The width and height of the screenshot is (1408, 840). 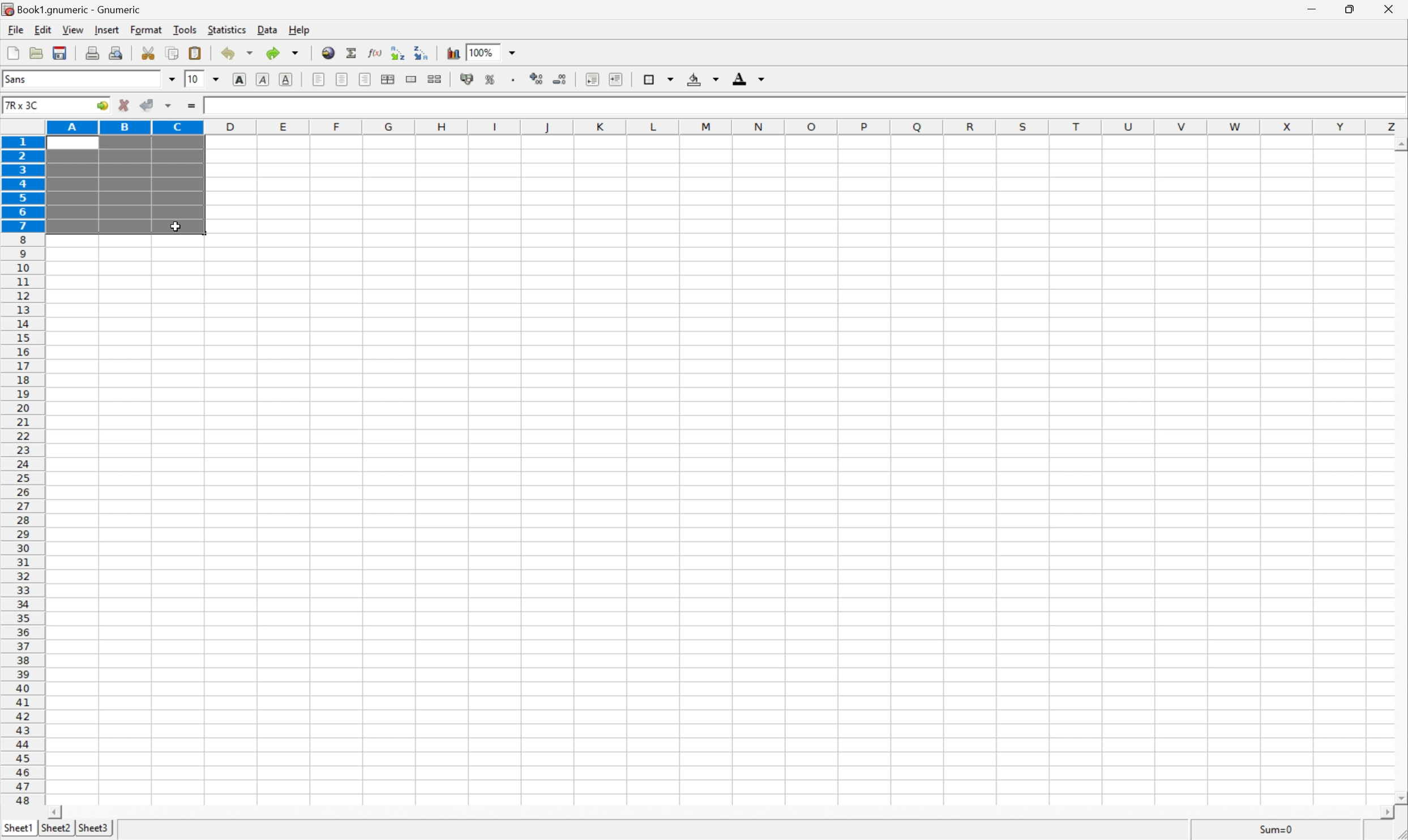 What do you see at coordinates (468, 79) in the screenshot?
I see `format selection as accounting` at bounding box center [468, 79].